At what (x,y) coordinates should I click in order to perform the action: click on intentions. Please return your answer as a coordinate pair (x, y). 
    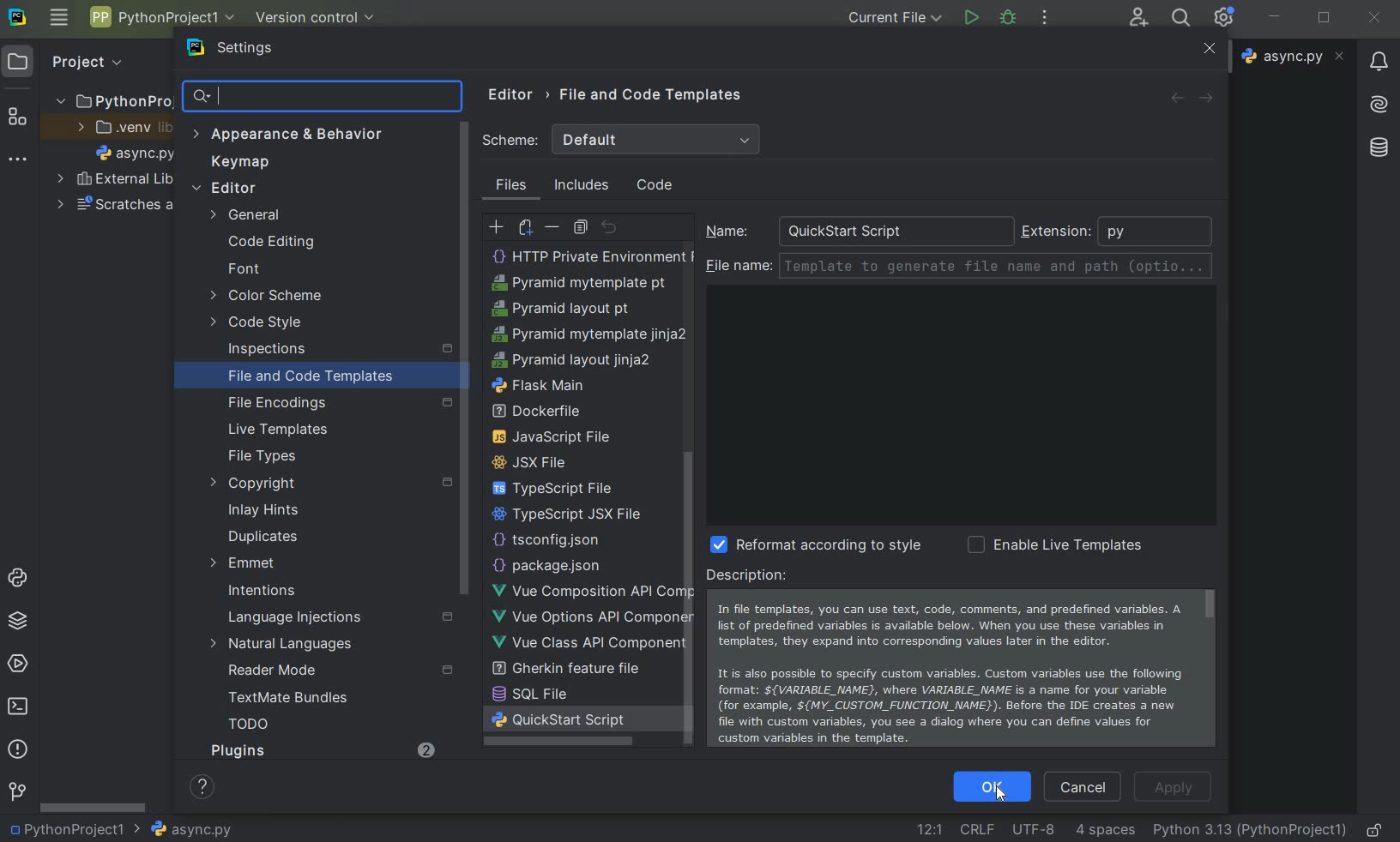
    Looking at the image, I should click on (277, 592).